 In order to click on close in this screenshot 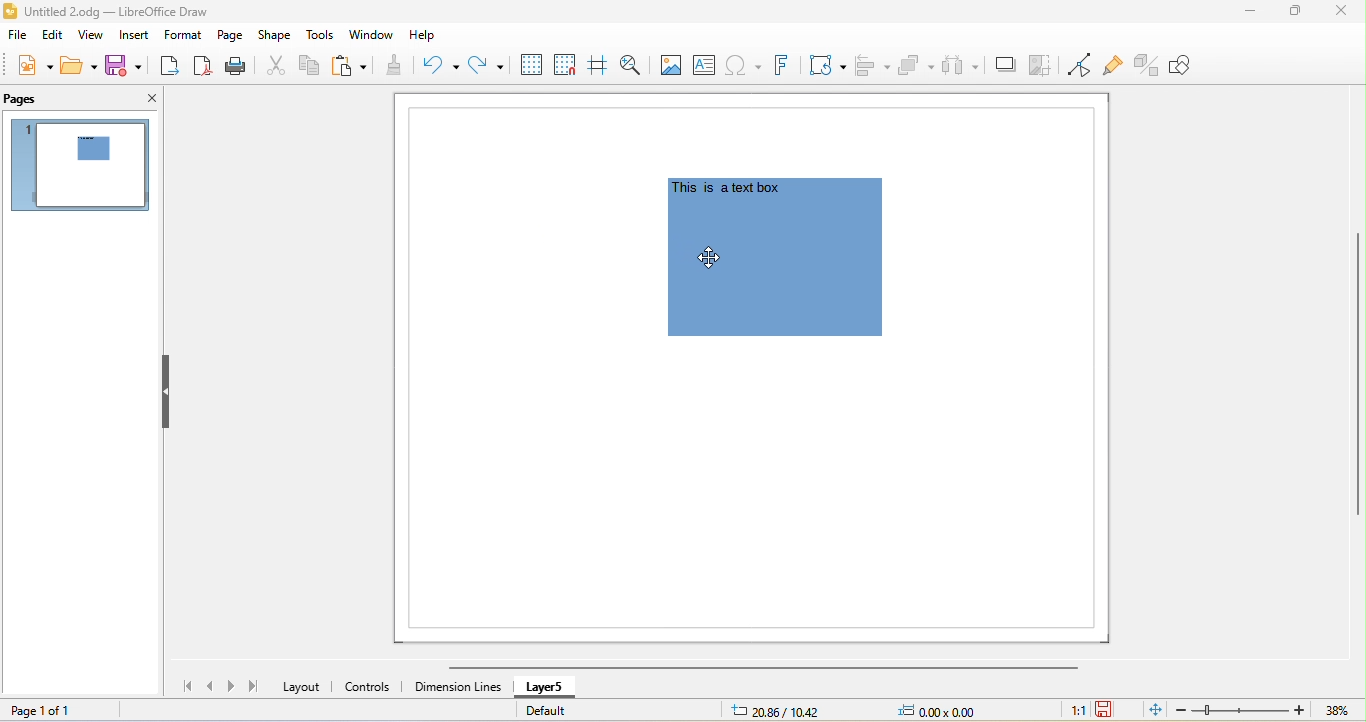, I will do `click(1342, 10)`.